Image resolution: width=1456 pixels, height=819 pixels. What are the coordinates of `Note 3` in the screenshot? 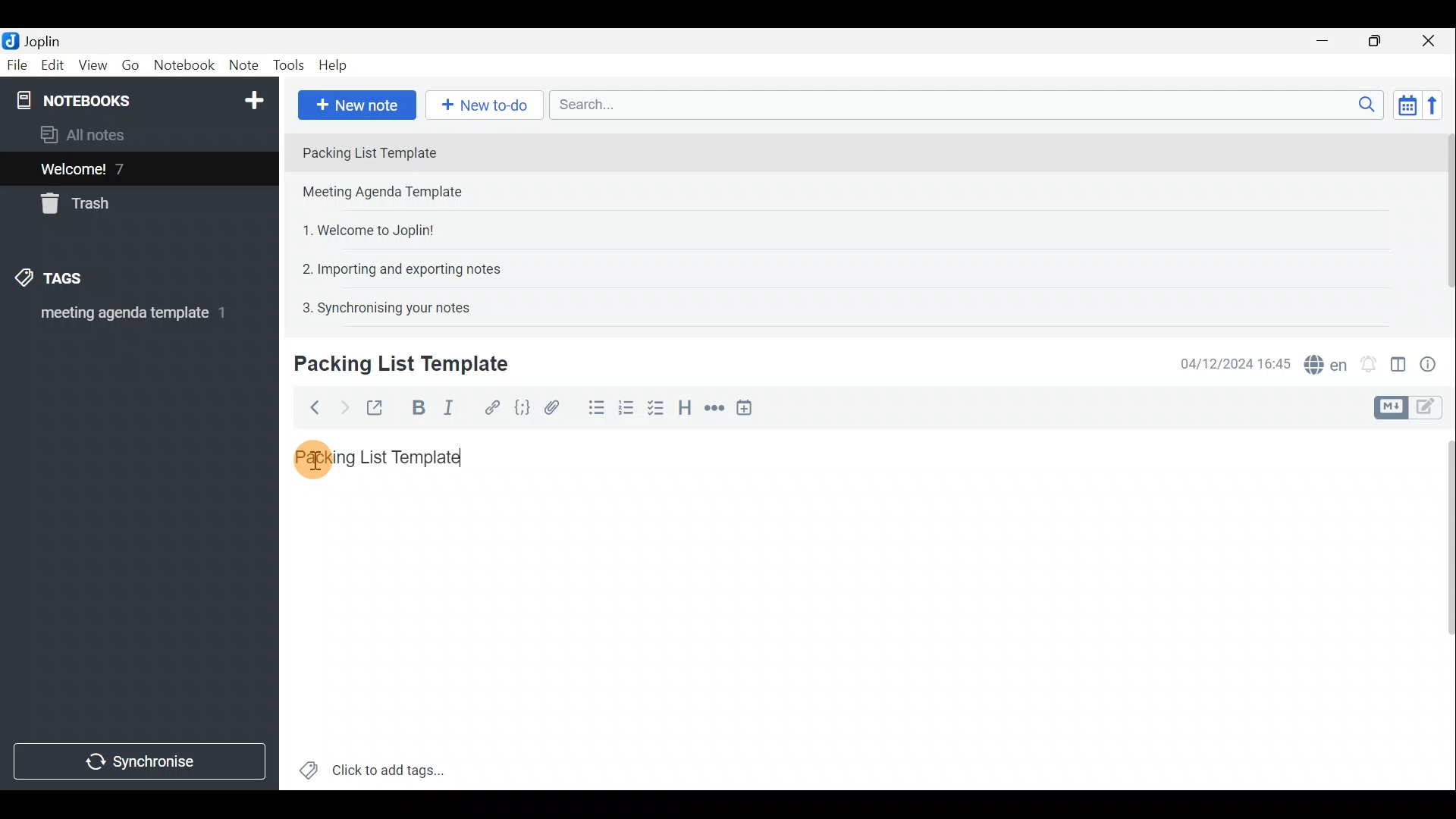 It's located at (362, 228).